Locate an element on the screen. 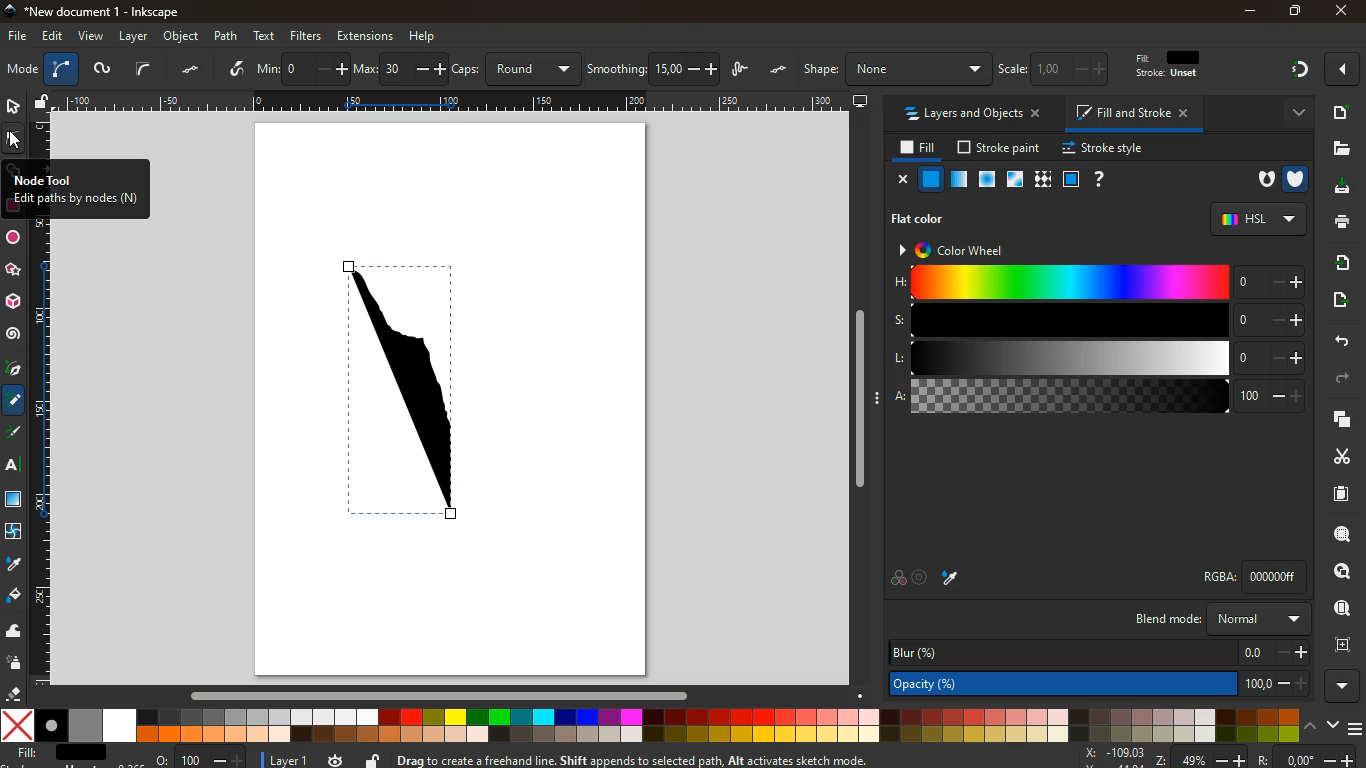 The width and height of the screenshot is (1366, 768). erase is located at coordinates (14, 694).